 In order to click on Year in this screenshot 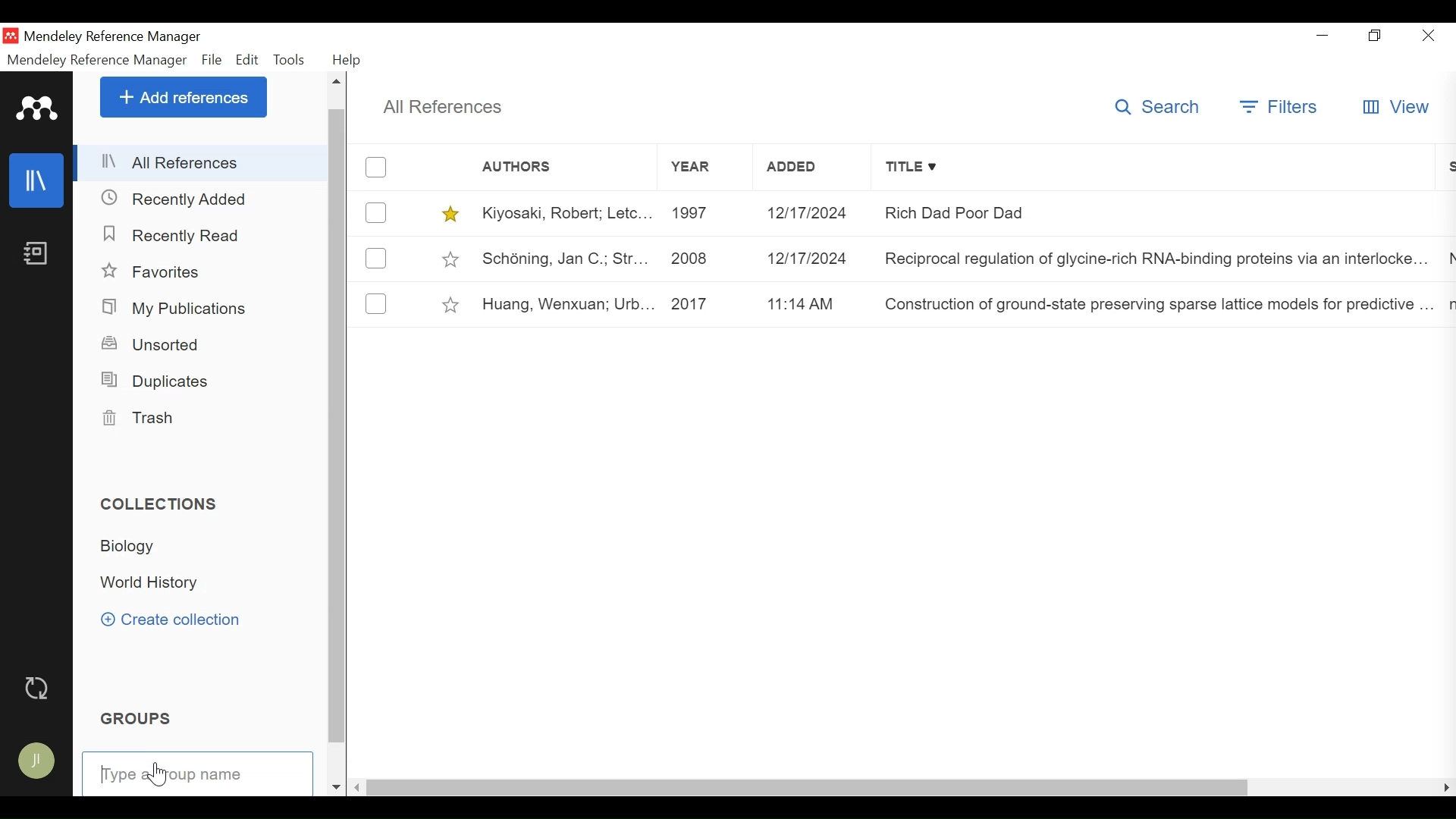, I will do `click(701, 169)`.